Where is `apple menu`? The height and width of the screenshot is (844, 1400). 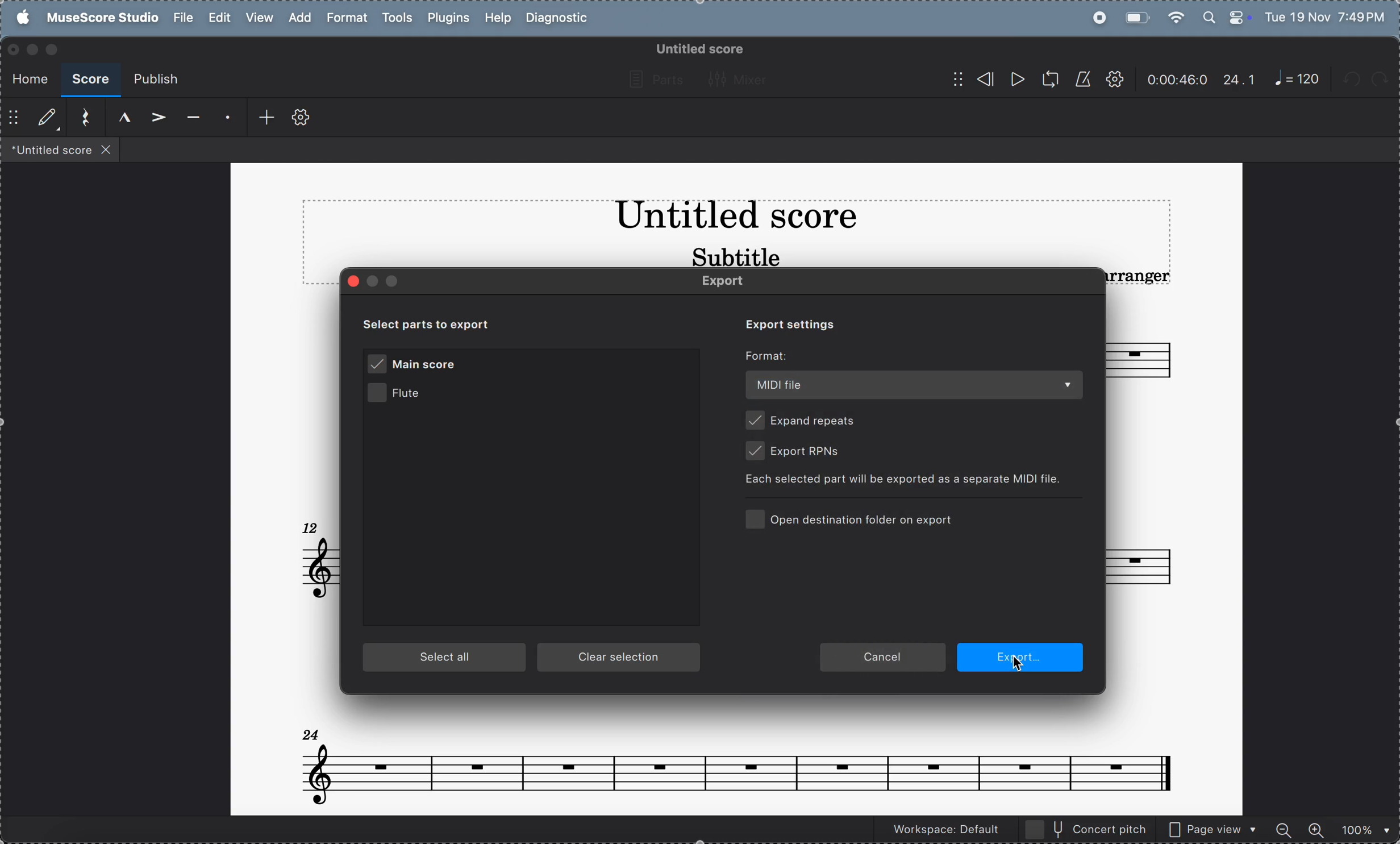 apple menu is located at coordinates (19, 17).